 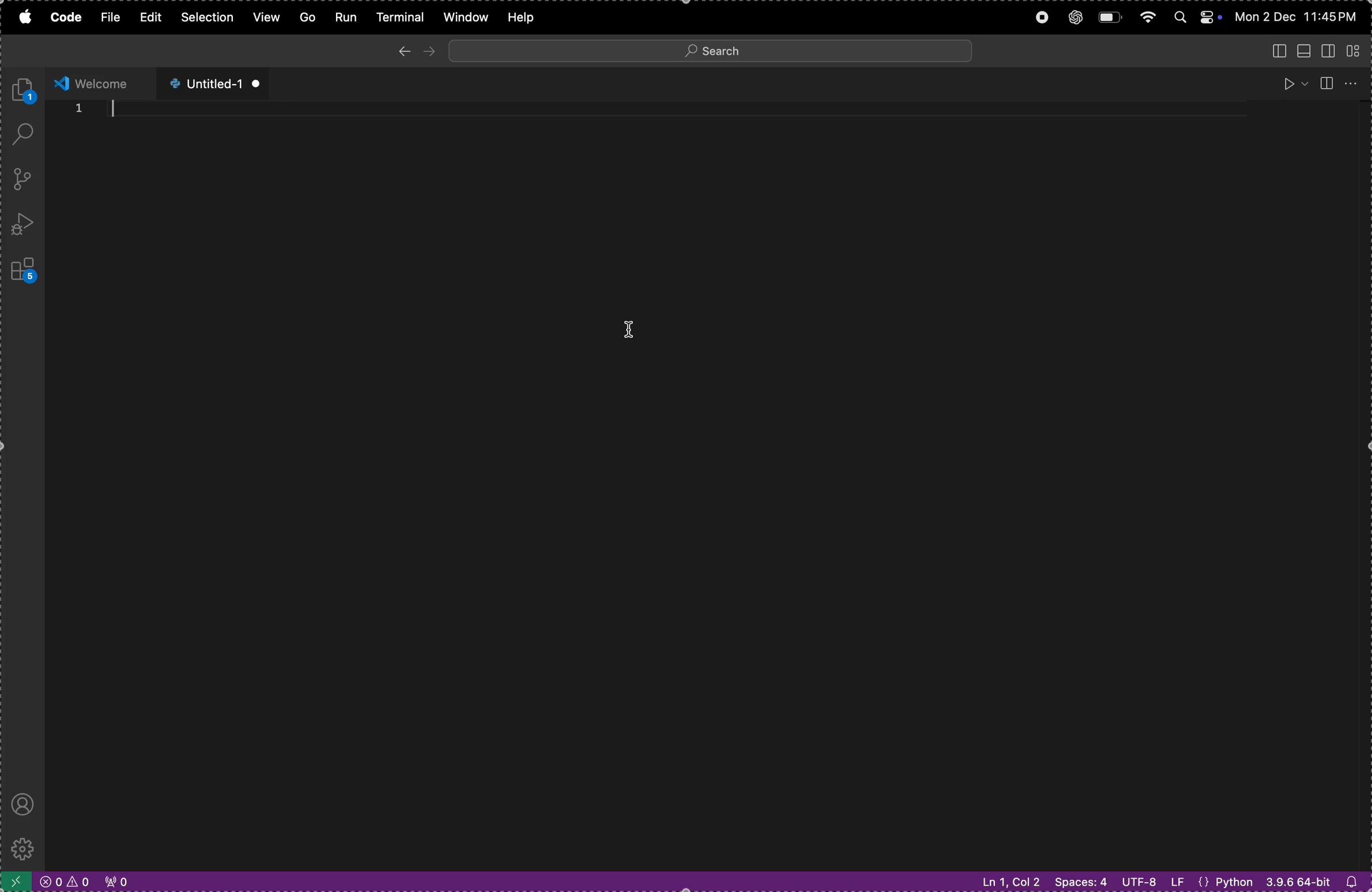 What do you see at coordinates (464, 17) in the screenshot?
I see `window` at bounding box center [464, 17].